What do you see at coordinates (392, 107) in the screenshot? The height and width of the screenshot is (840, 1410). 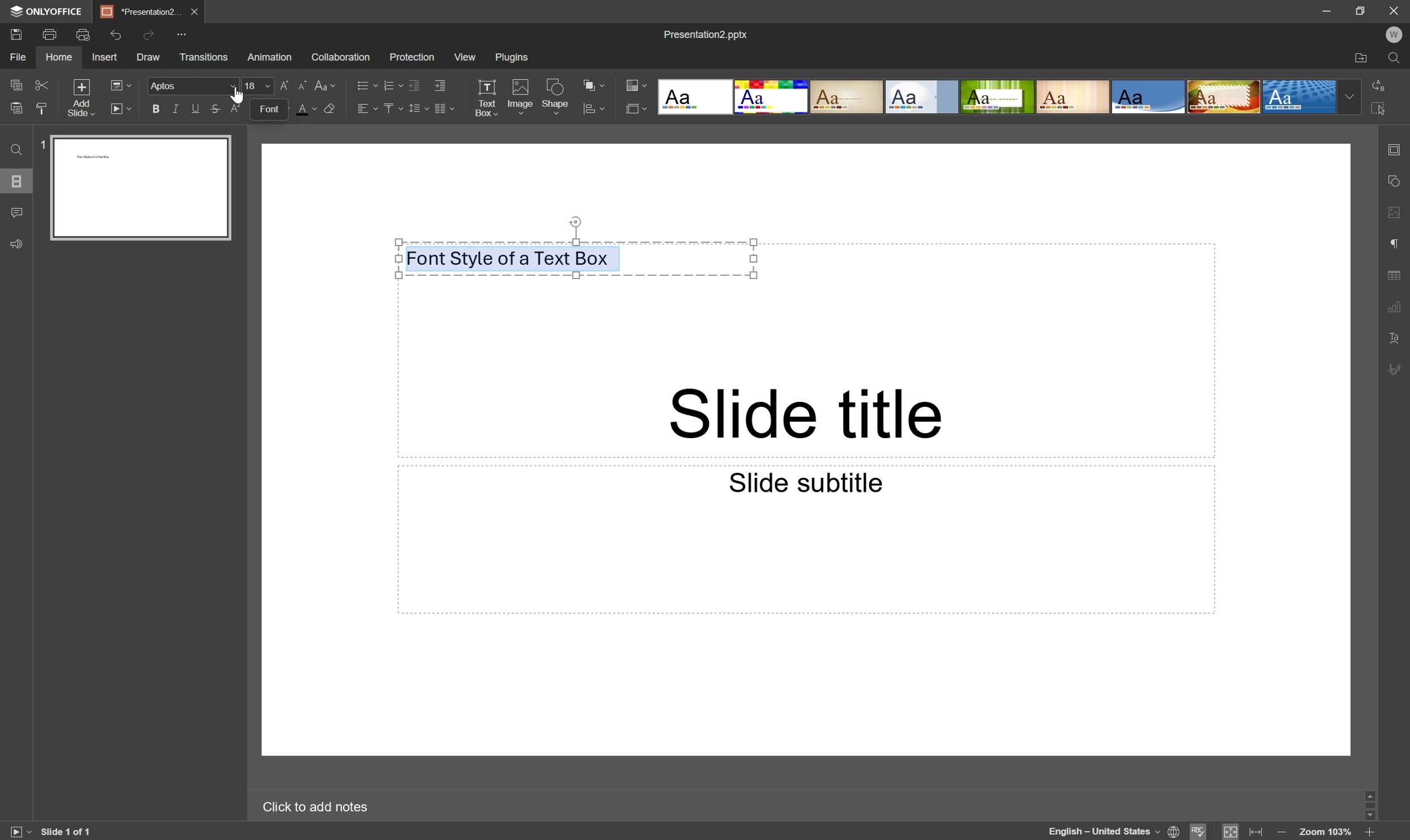 I see `Vertical Align` at bounding box center [392, 107].